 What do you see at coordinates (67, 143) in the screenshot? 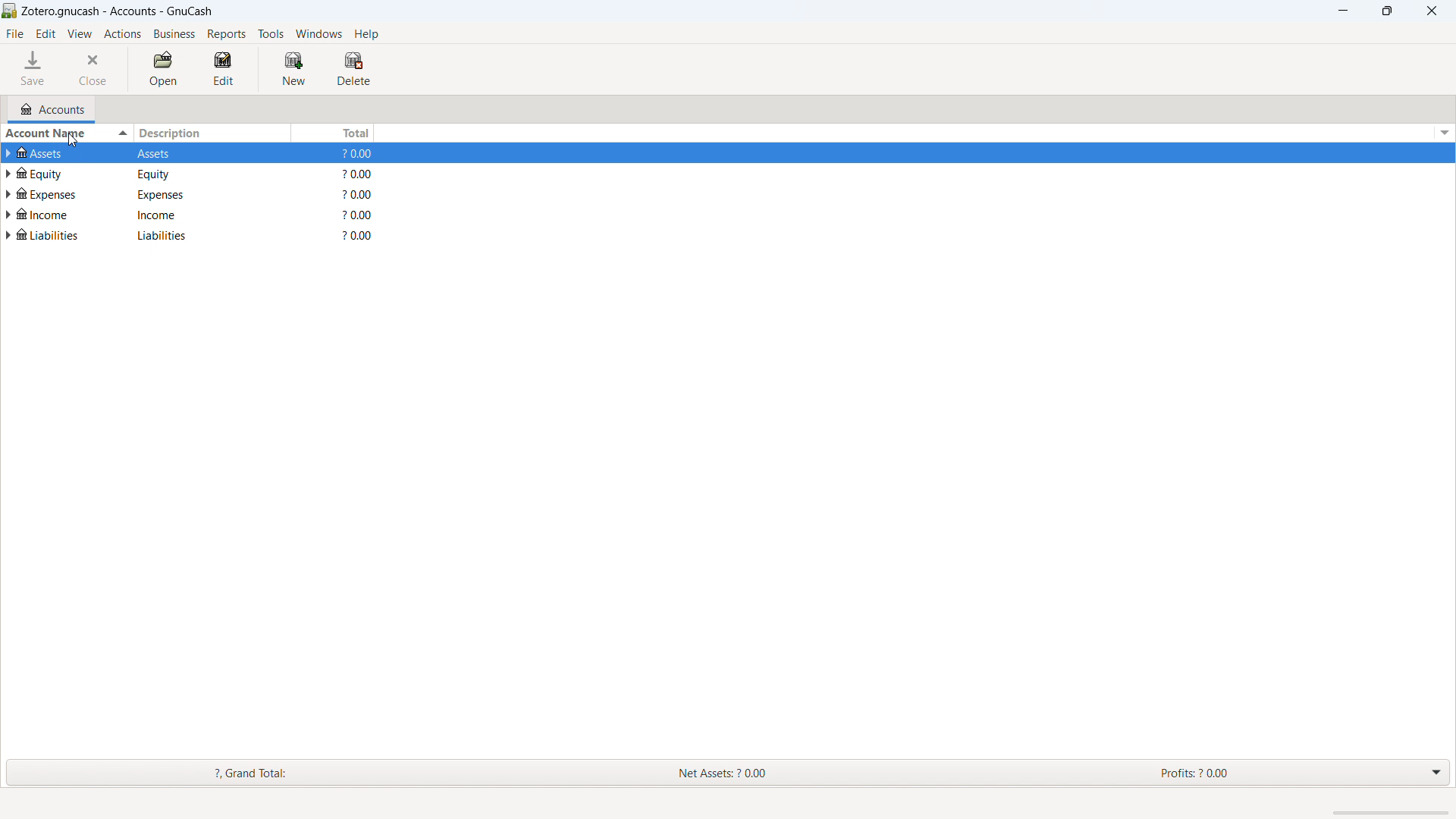
I see `cursor` at bounding box center [67, 143].